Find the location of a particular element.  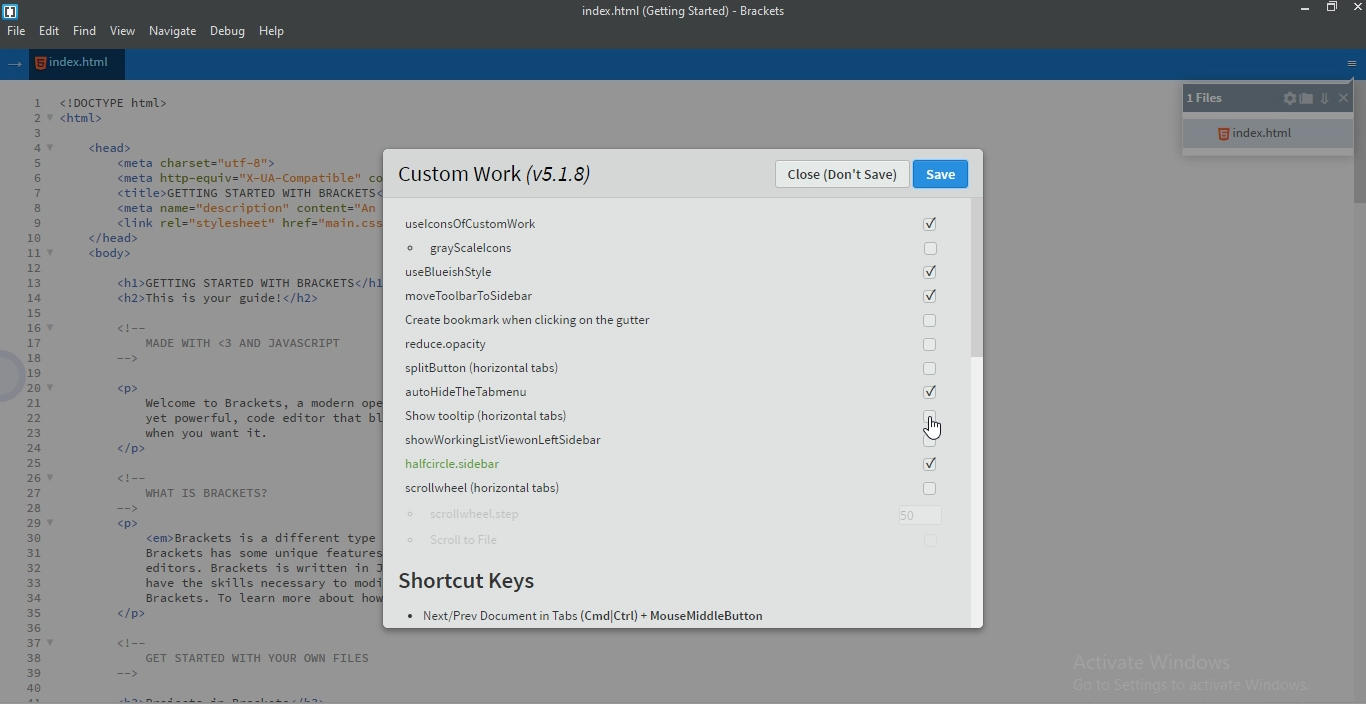

open folder is located at coordinates (1308, 98).